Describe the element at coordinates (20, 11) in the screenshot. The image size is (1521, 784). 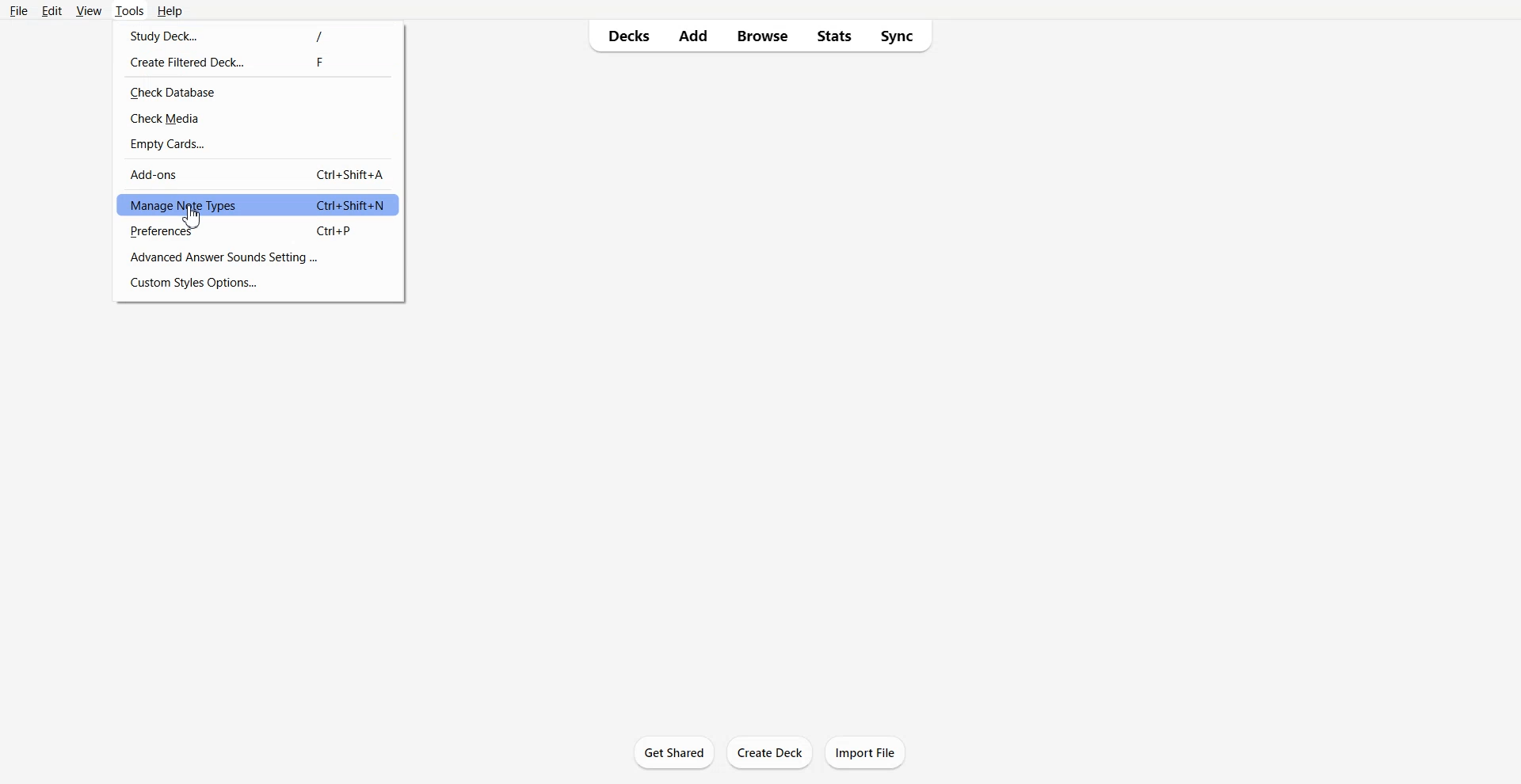
I see `File` at that location.